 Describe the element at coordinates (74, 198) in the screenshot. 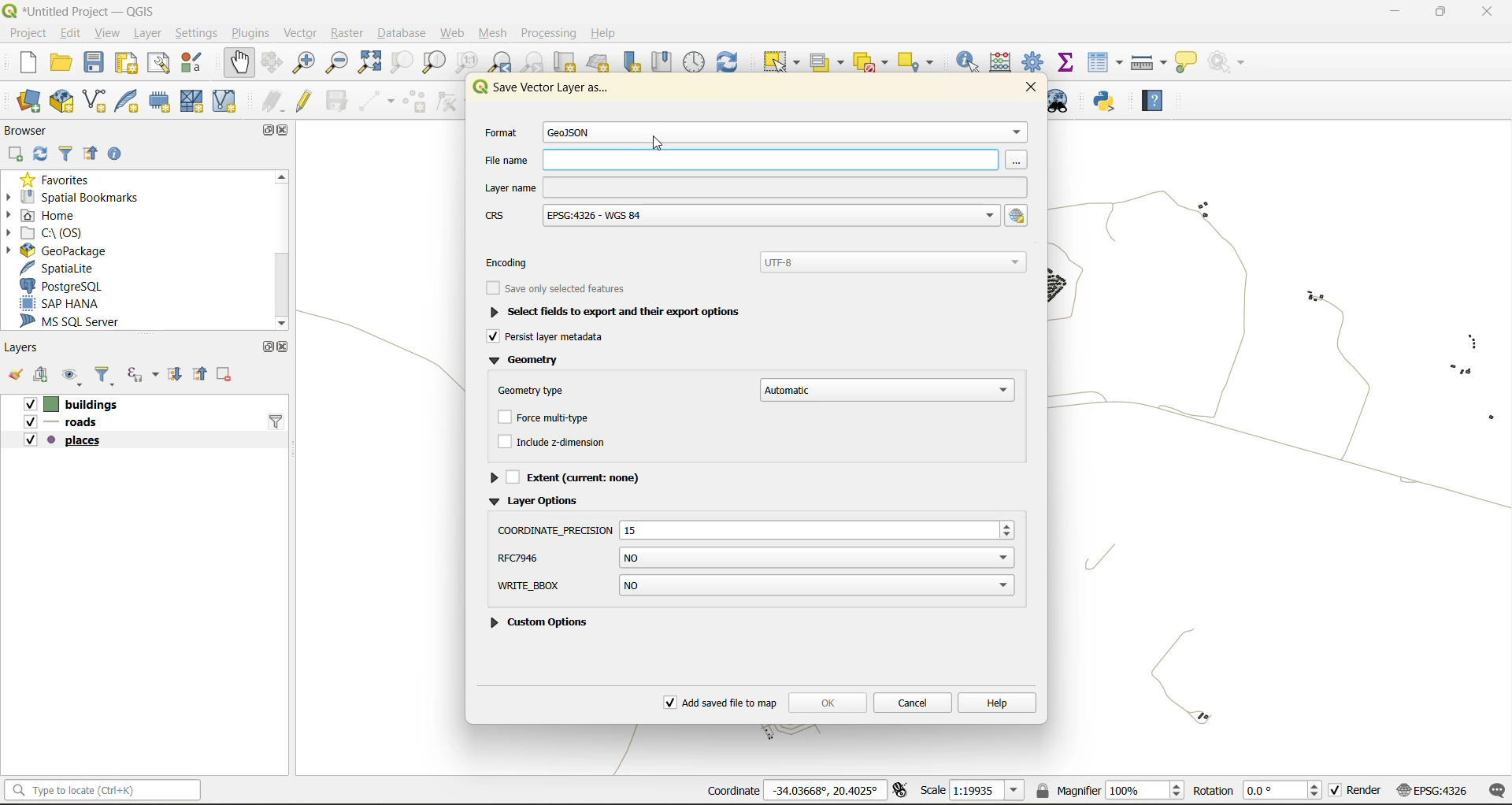

I see `spatial bookmarks` at that location.